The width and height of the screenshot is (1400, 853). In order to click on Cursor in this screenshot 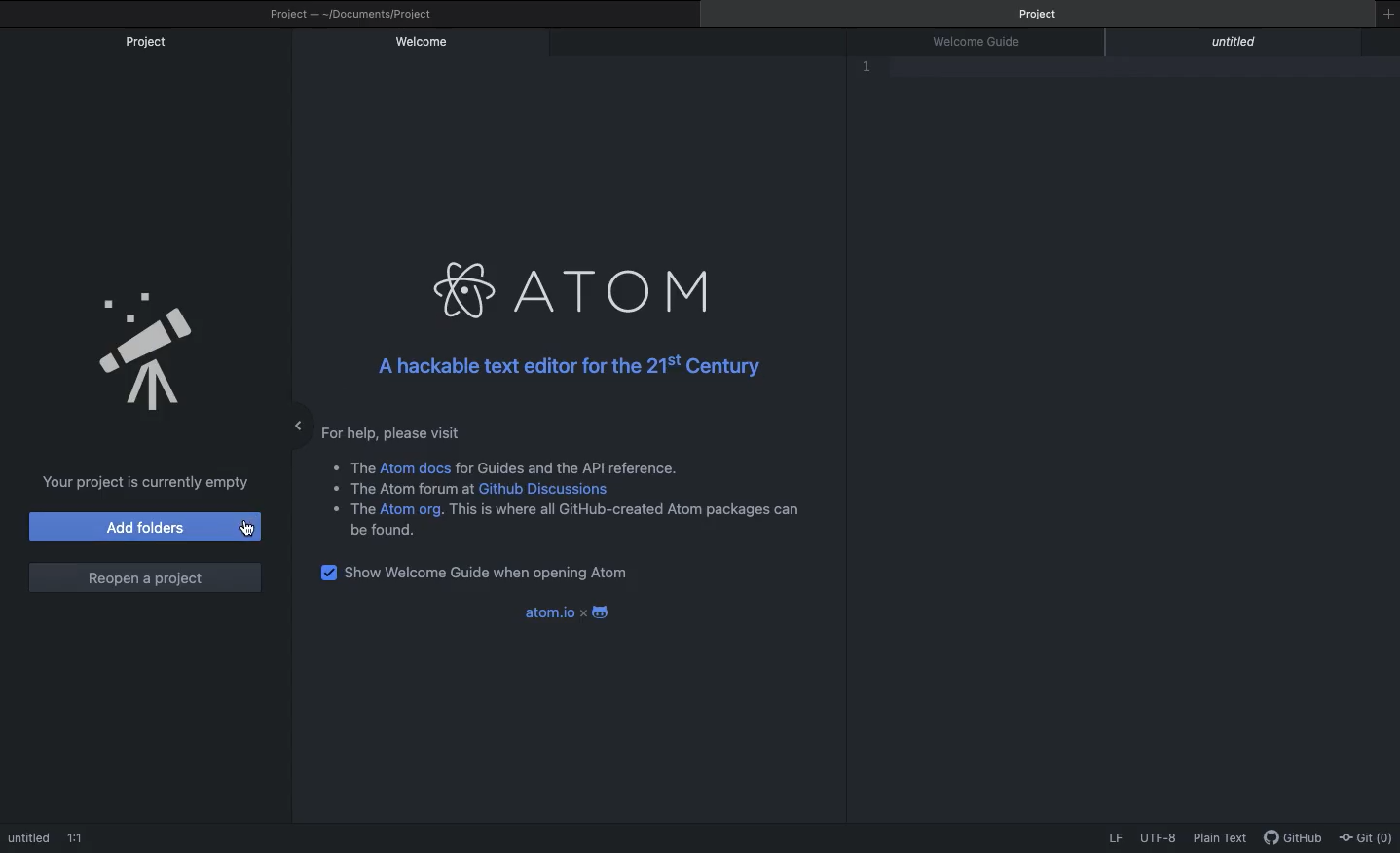, I will do `click(250, 532)`.